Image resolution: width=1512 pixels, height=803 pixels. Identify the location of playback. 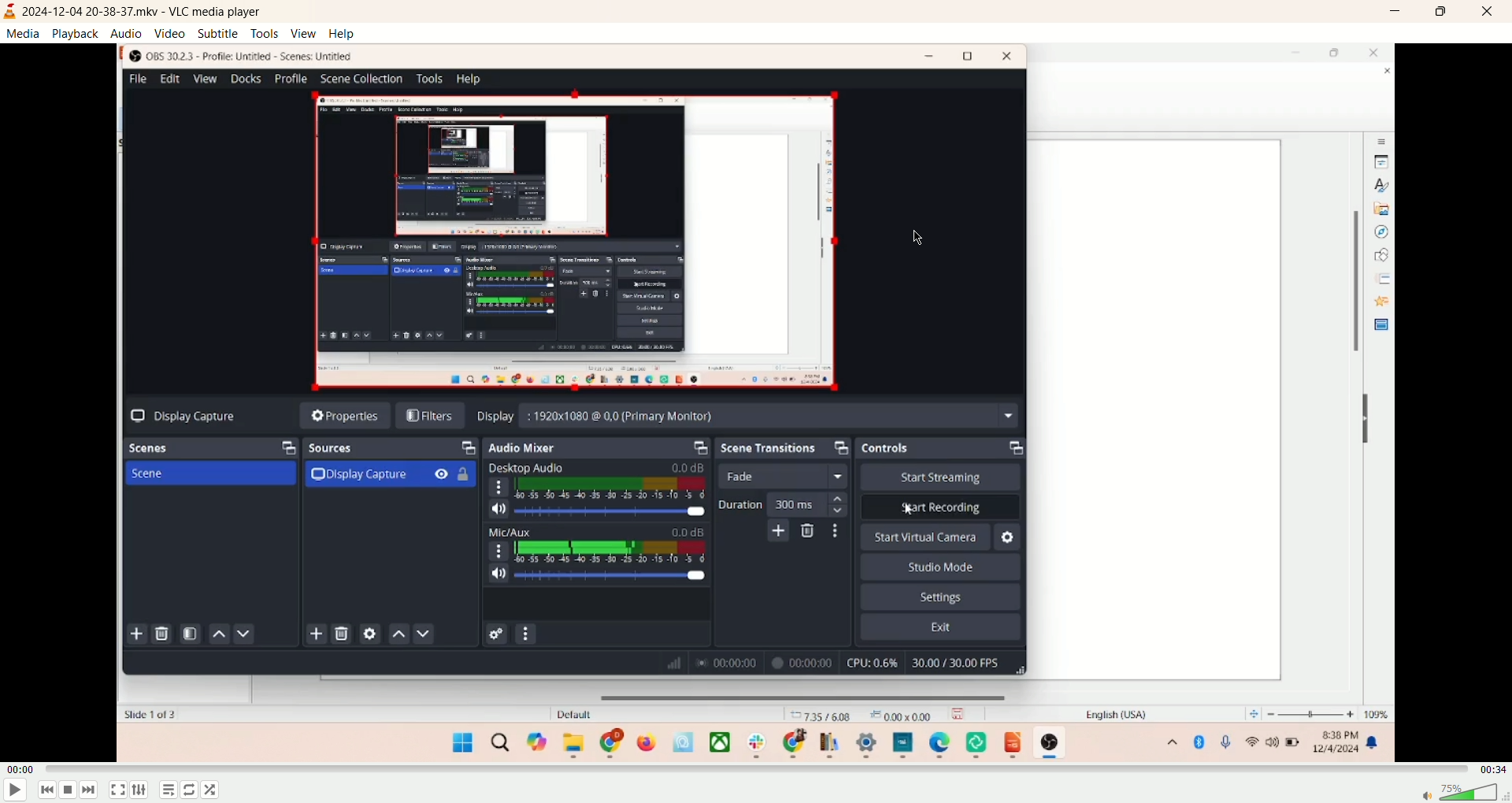
(76, 34).